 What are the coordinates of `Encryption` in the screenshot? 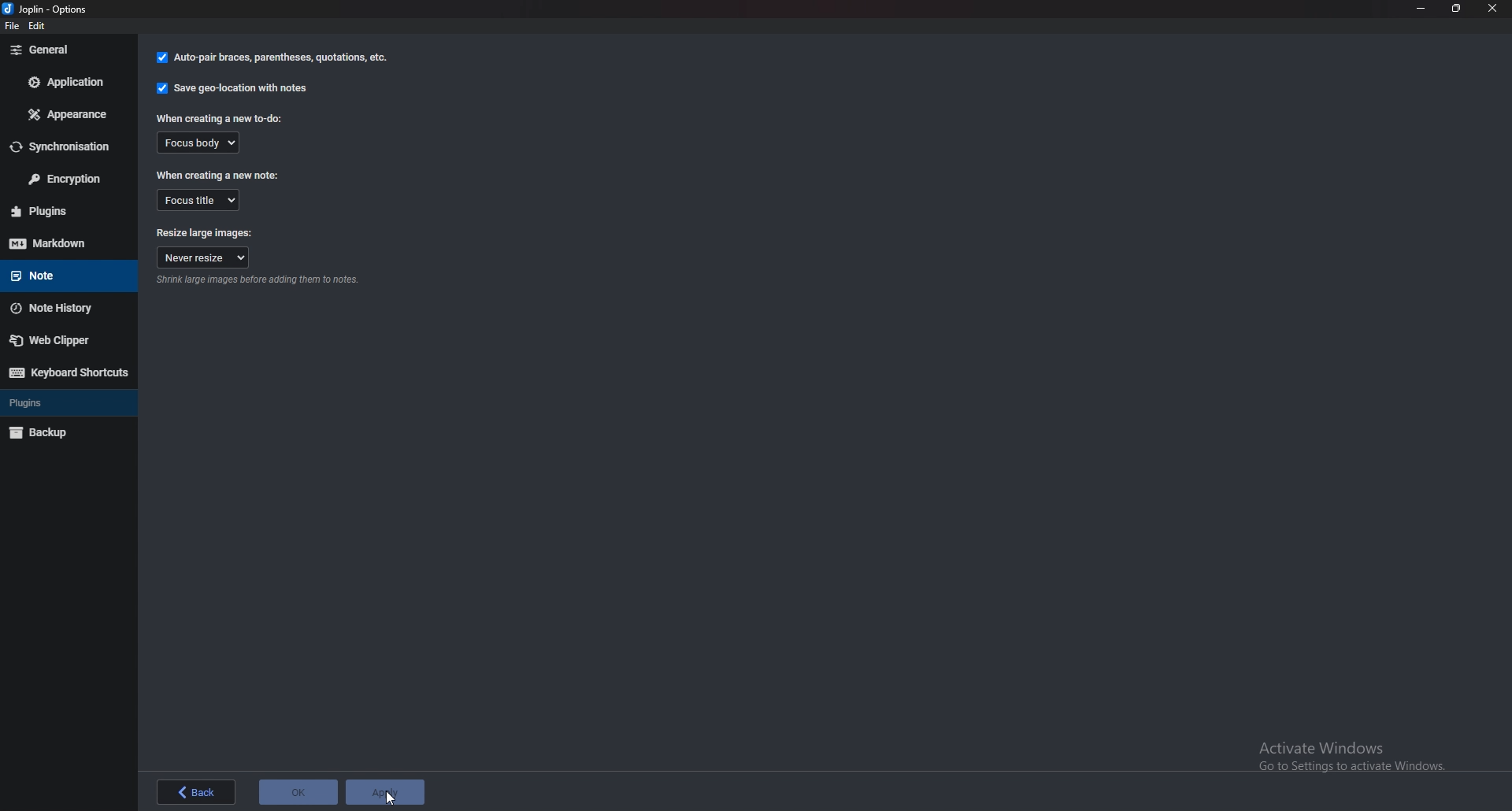 It's located at (69, 180).